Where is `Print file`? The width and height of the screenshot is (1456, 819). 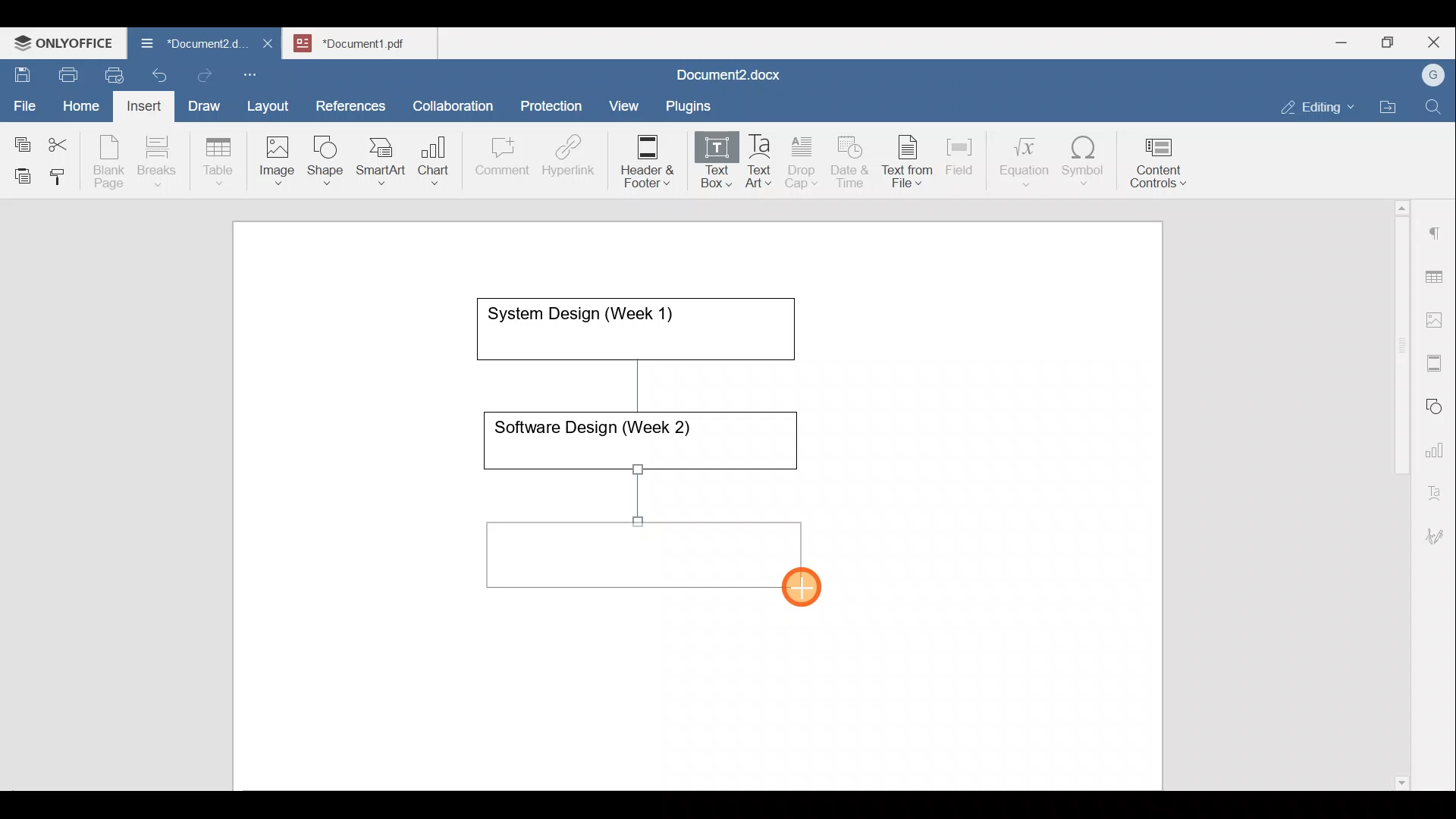
Print file is located at coordinates (65, 72).